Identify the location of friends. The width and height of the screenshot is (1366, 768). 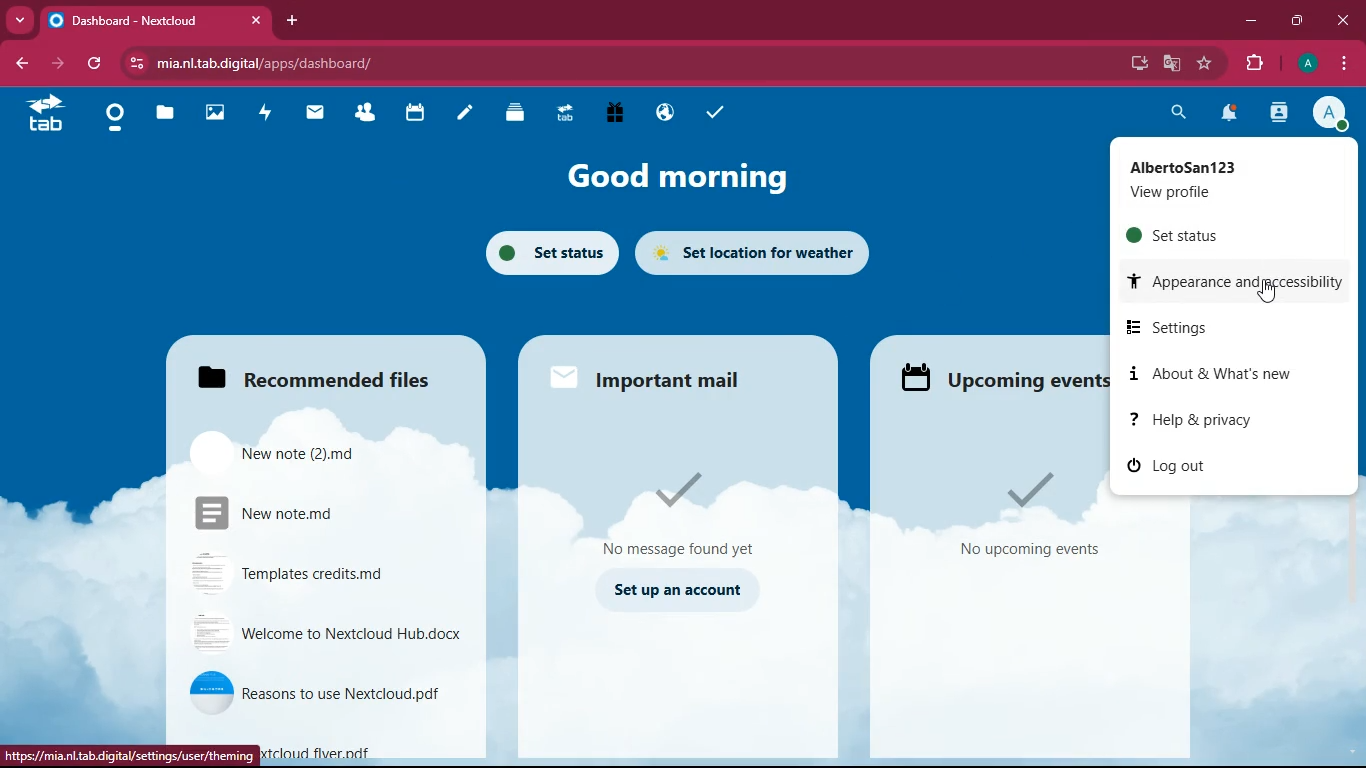
(366, 116).